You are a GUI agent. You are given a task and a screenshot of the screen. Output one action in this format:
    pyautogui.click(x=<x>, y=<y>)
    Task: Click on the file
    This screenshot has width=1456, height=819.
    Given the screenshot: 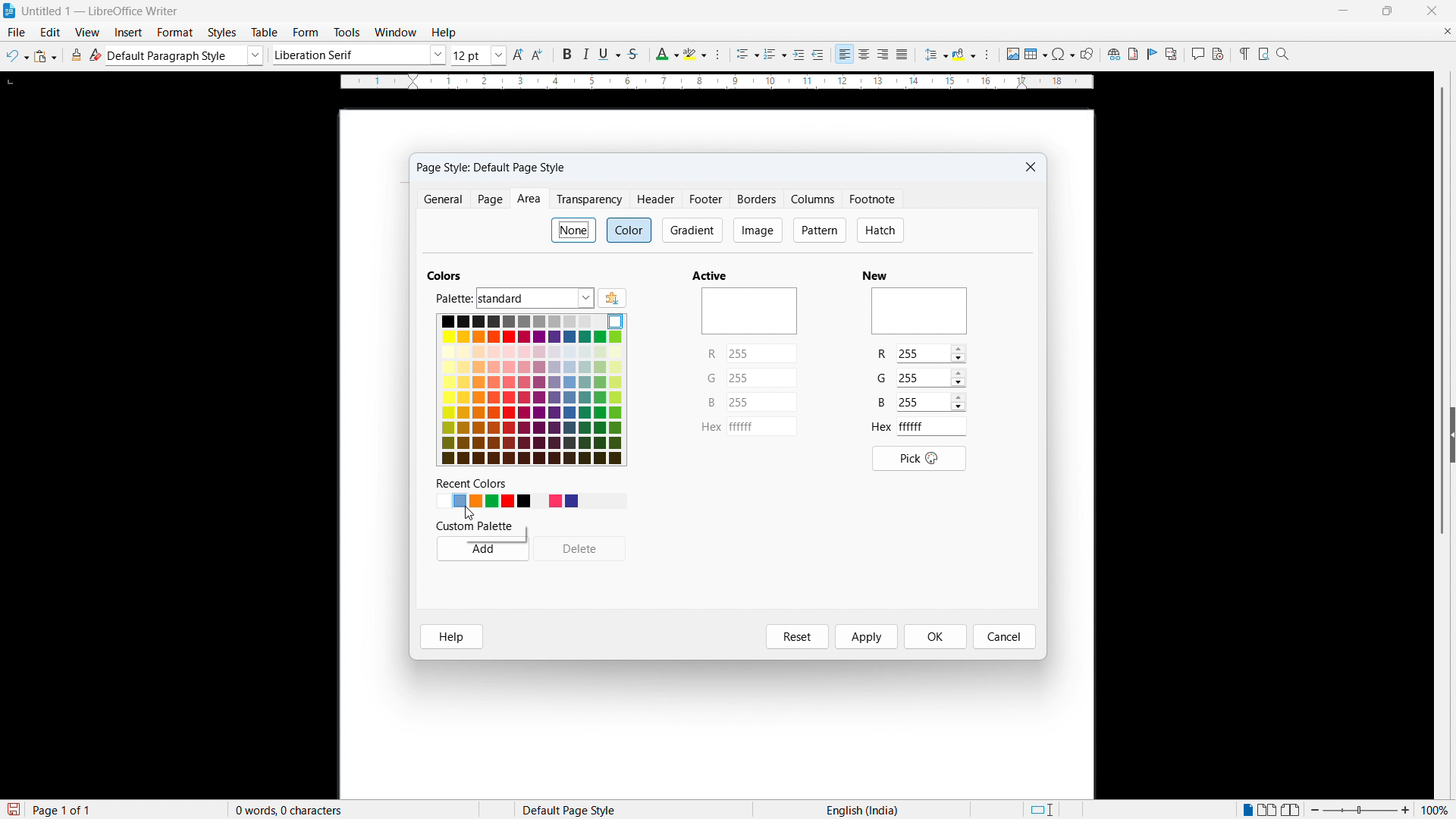 What is the action you would take?
    pyautogui.click(x=15, y=32)
    